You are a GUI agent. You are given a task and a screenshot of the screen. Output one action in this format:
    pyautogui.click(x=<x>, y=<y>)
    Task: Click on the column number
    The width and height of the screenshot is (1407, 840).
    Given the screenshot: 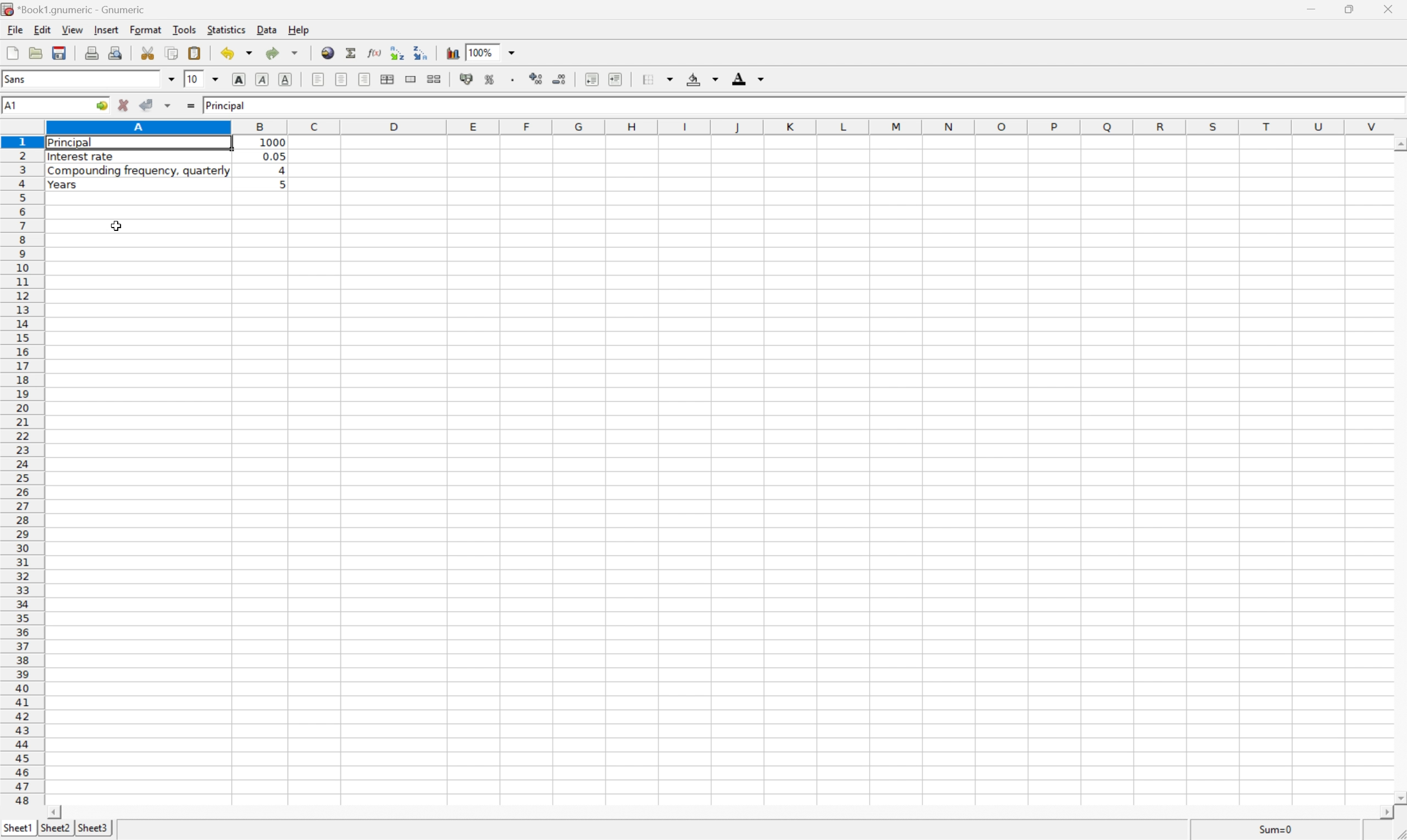 What is the action you would take?
    pyautogui.click(x=724, y=126)
    